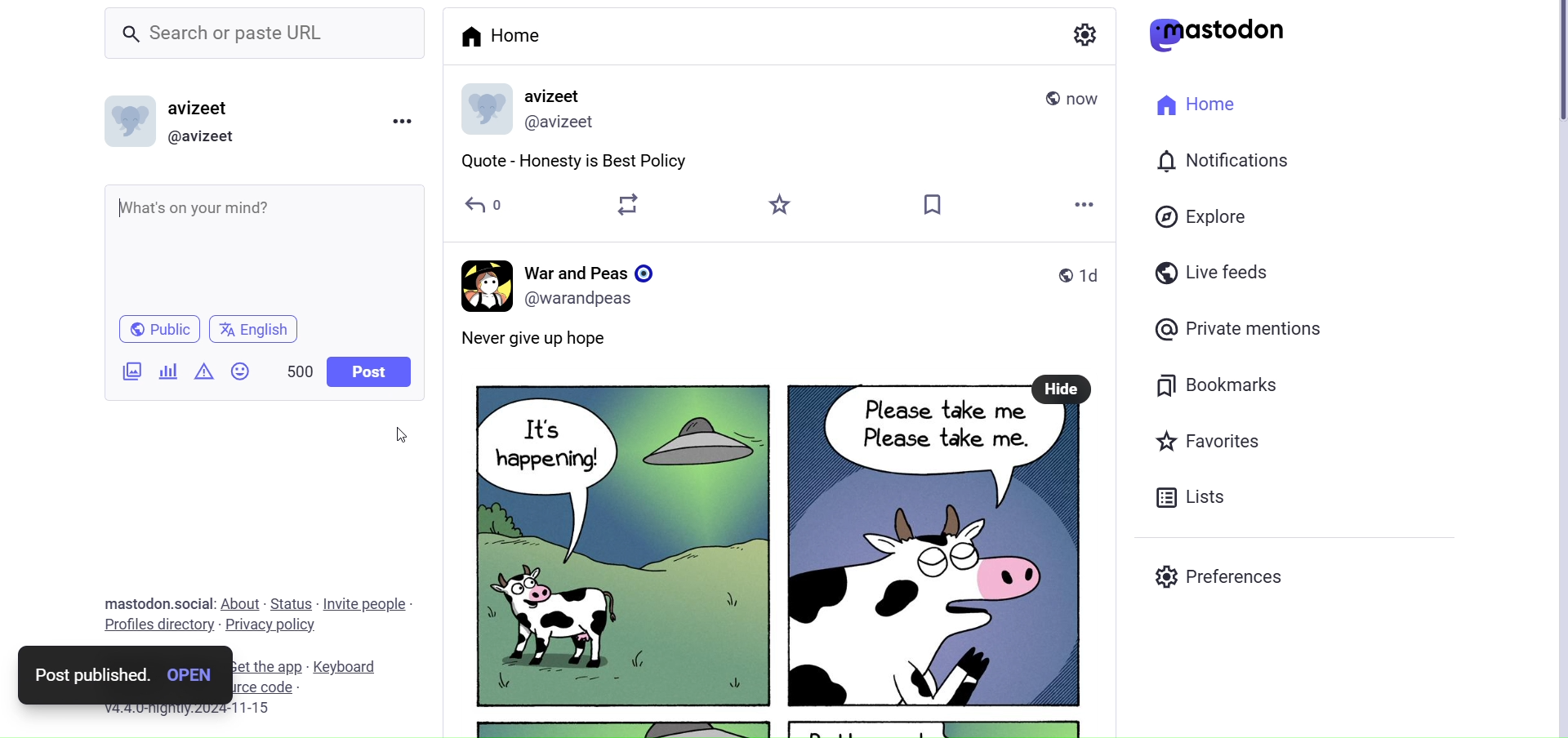 This screenshot has height=738, width=1568. Describe the element at coordinates (266, 687) in the screenshot. I see `View Source Code` at that location.